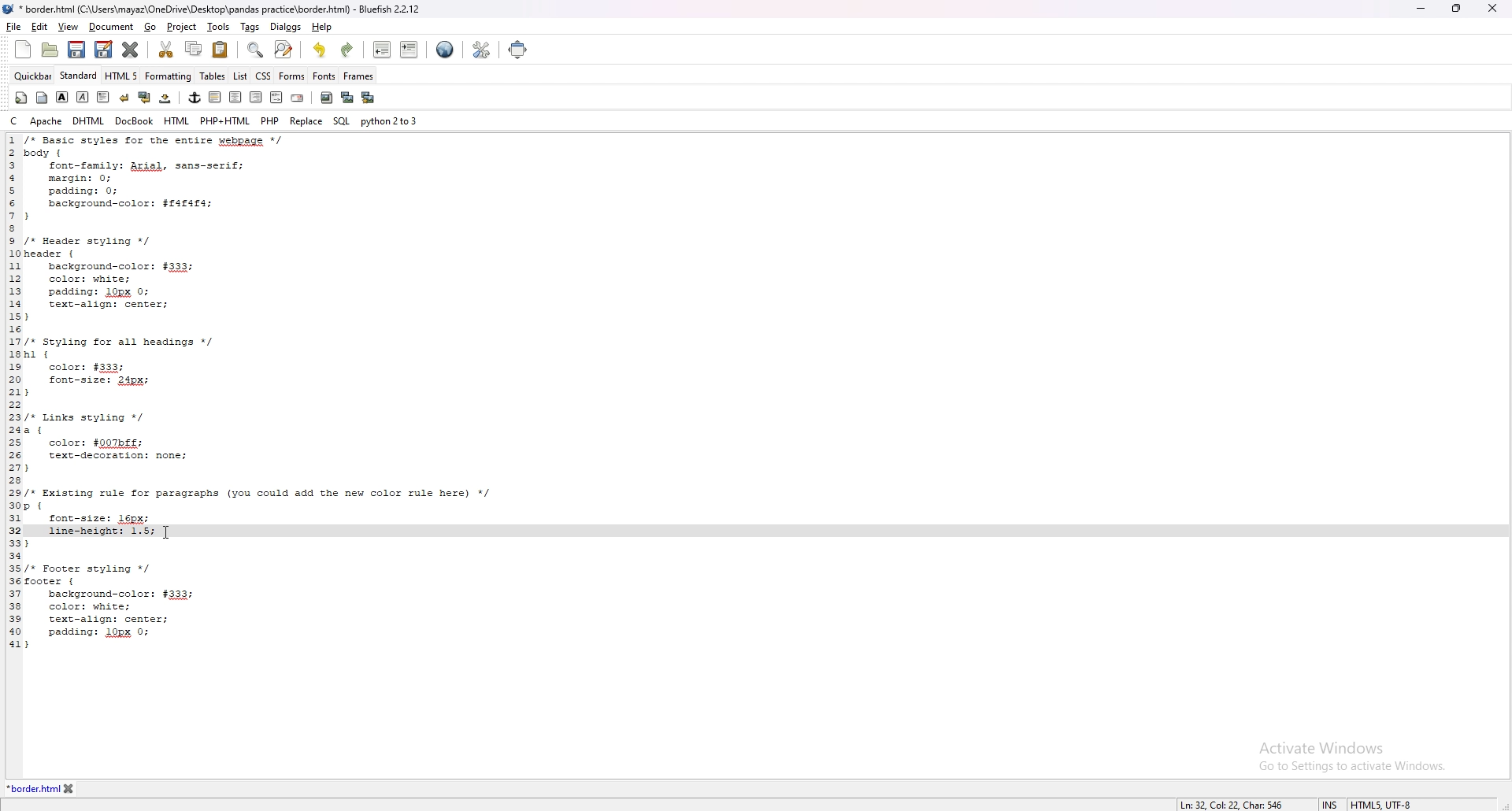  Describe the element at coordinates (409, 50) in the screenshot. I see `indent` at that location.